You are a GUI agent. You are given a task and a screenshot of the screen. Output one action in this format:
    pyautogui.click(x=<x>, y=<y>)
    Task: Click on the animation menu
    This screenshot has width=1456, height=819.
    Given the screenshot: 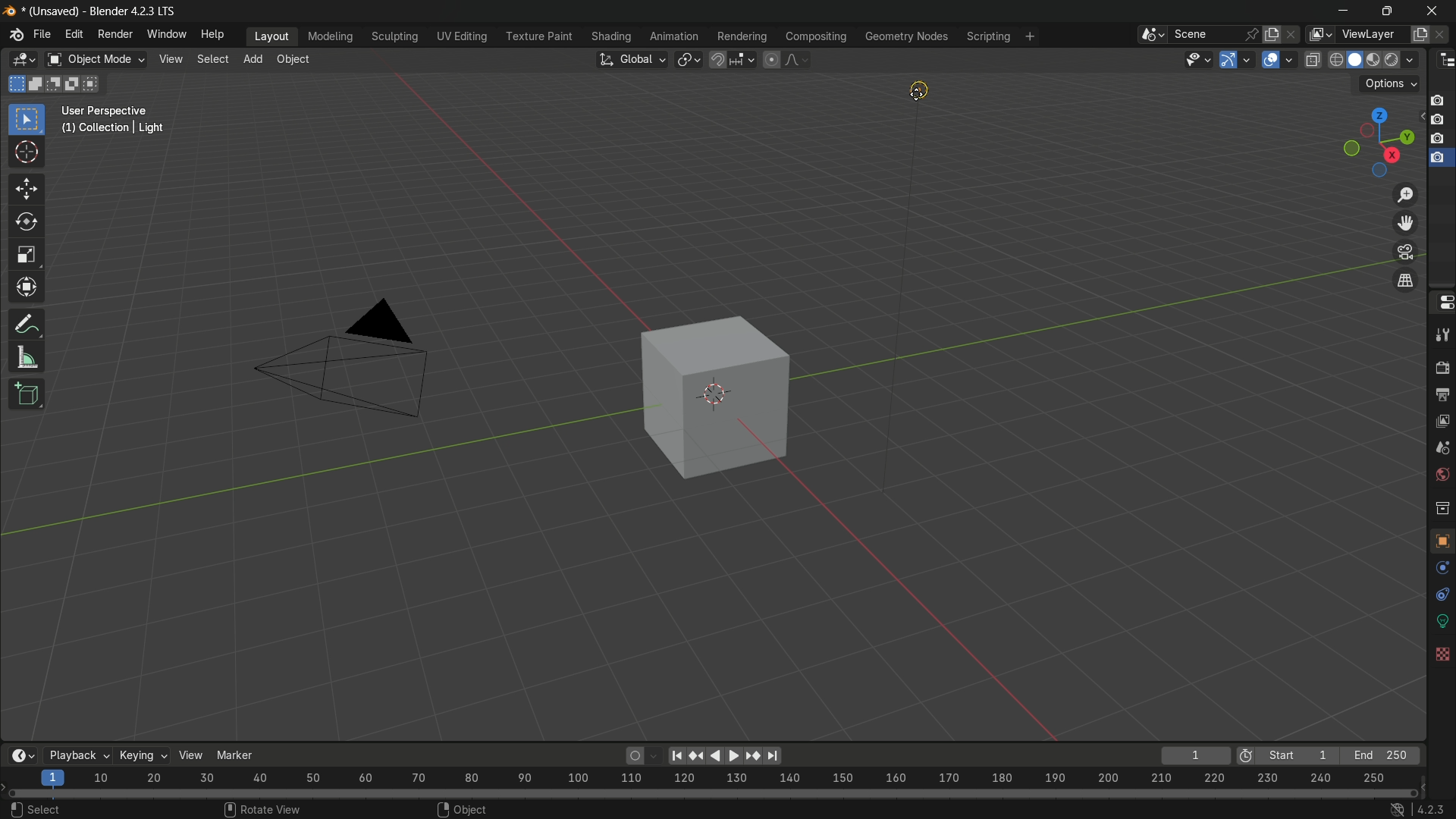 What is the action you would take?
    pyautogui.click(x=675, y=36)
    